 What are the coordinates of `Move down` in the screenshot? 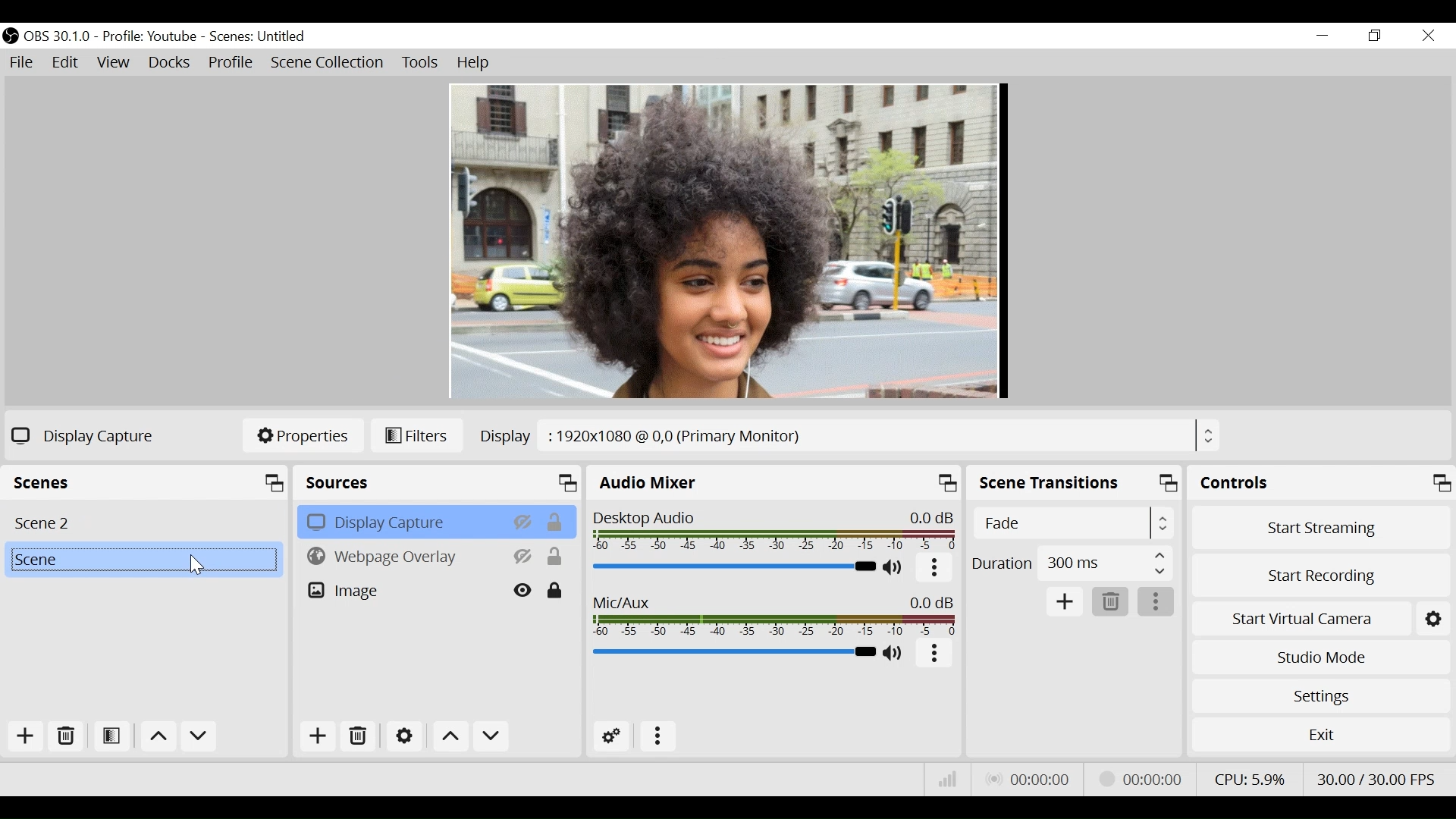 It's located at (198, 737).